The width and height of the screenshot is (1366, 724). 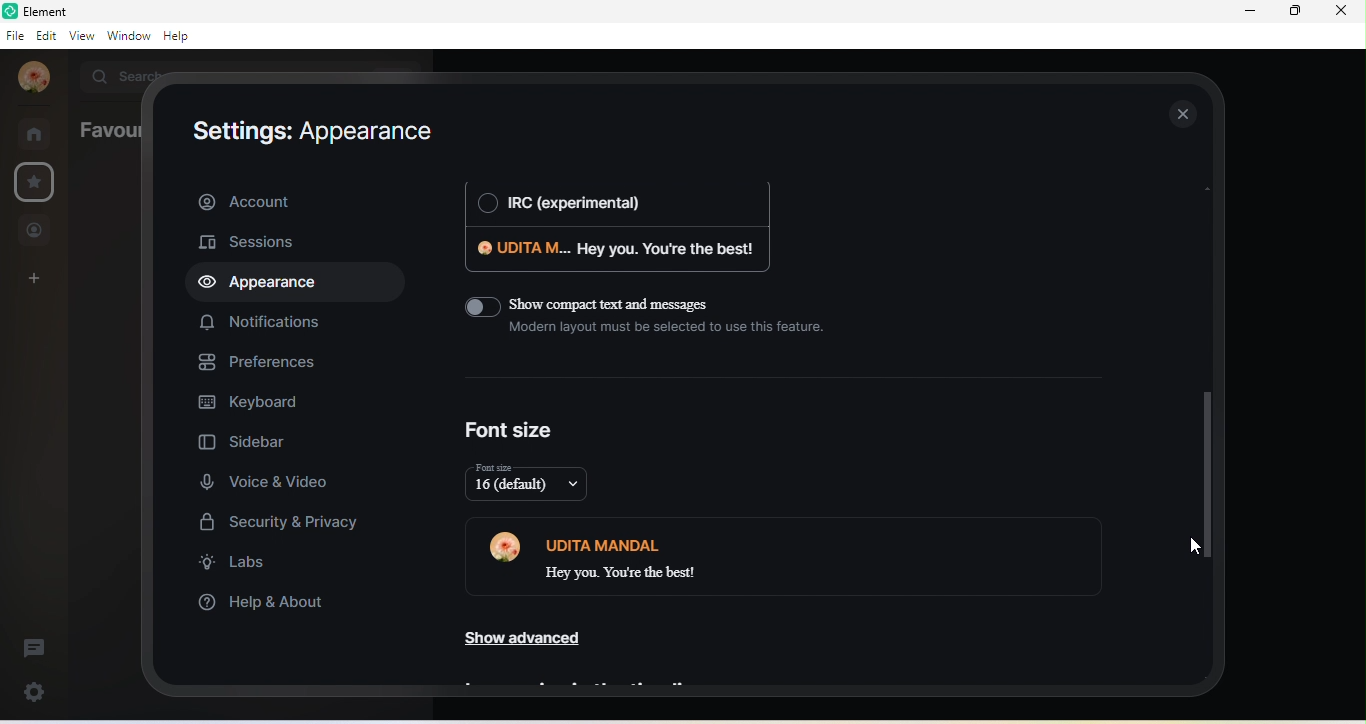 I want to click on rooms, so click(x=36, y=132).